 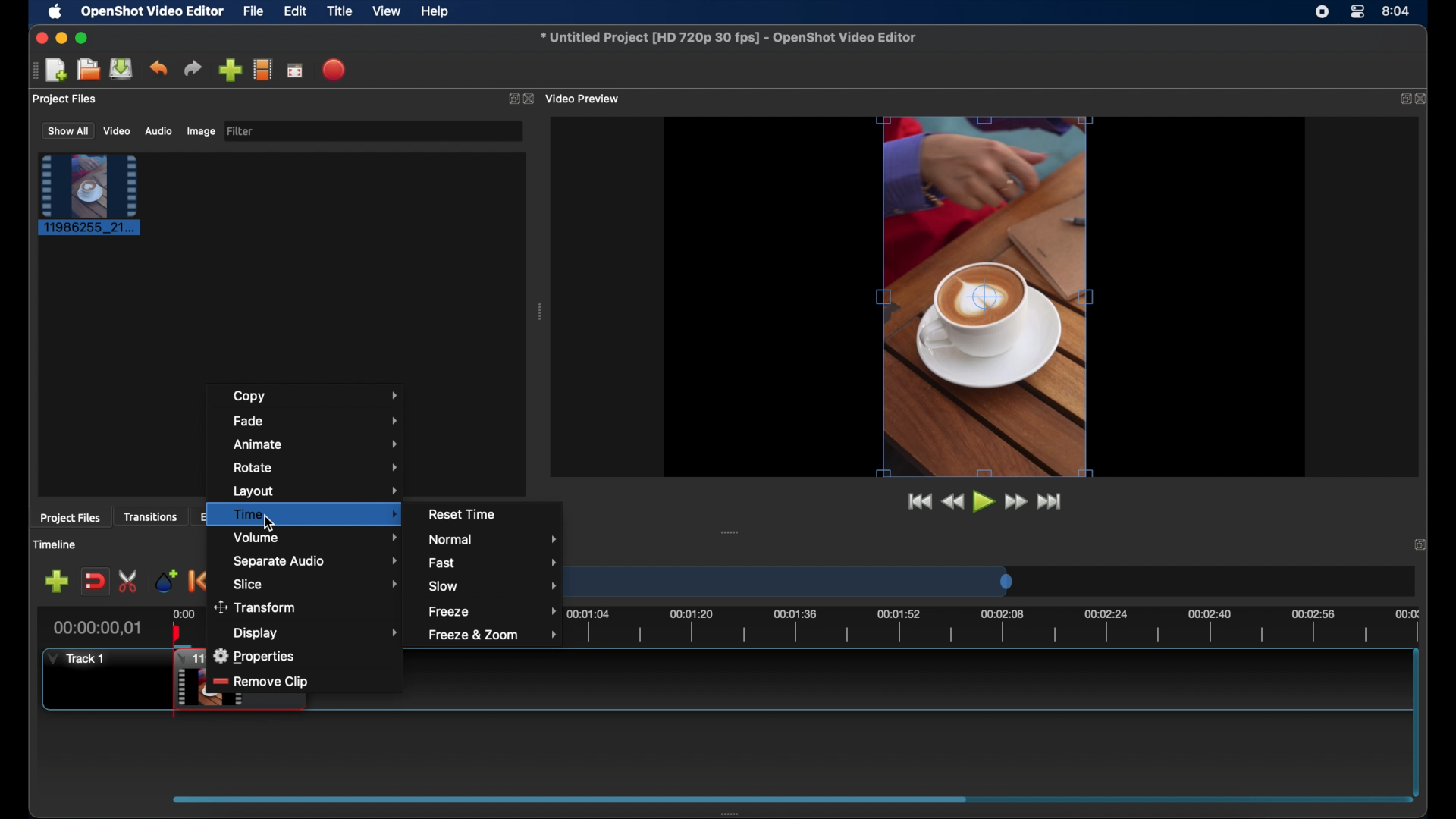 What do you see at coordinates (318, 632) in the screenshot?
I see `display` at bounding box center [318, 632].